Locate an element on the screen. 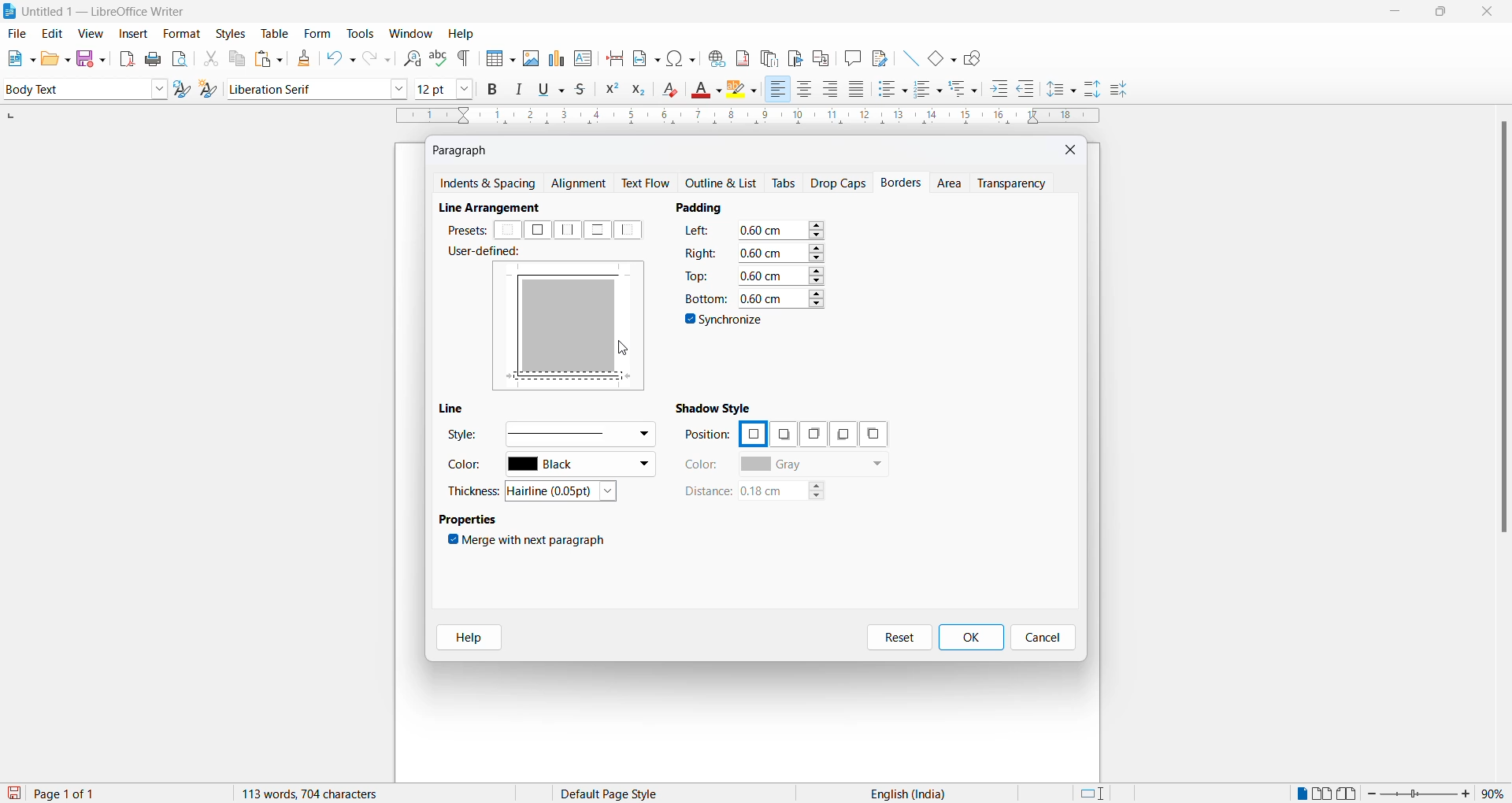 Image resolution: width=1512 pixels, height=803 pixels. text language is located at coordinates (902, 794).